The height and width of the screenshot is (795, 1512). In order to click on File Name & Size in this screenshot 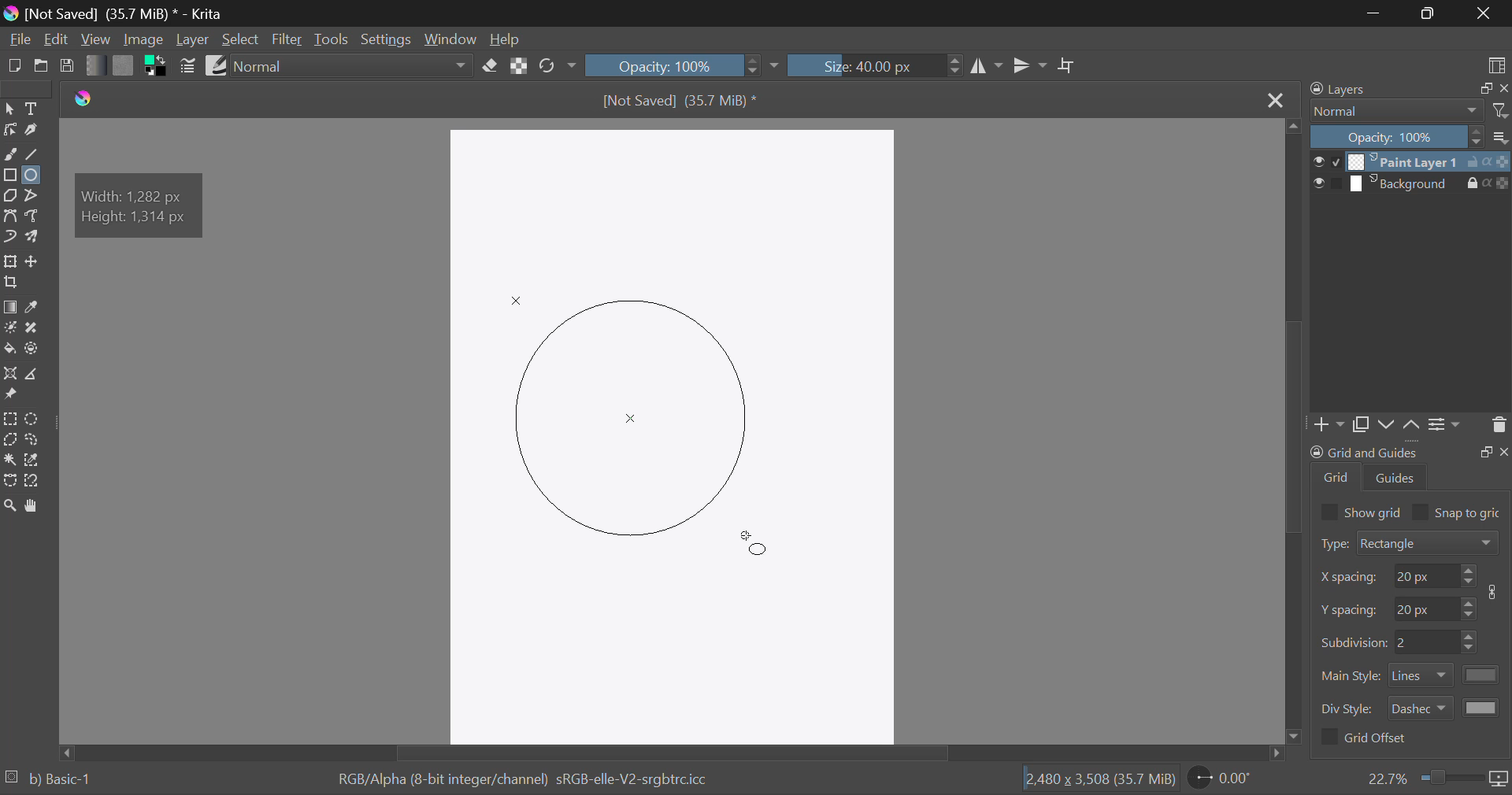, I will do `click(684, 102)`.